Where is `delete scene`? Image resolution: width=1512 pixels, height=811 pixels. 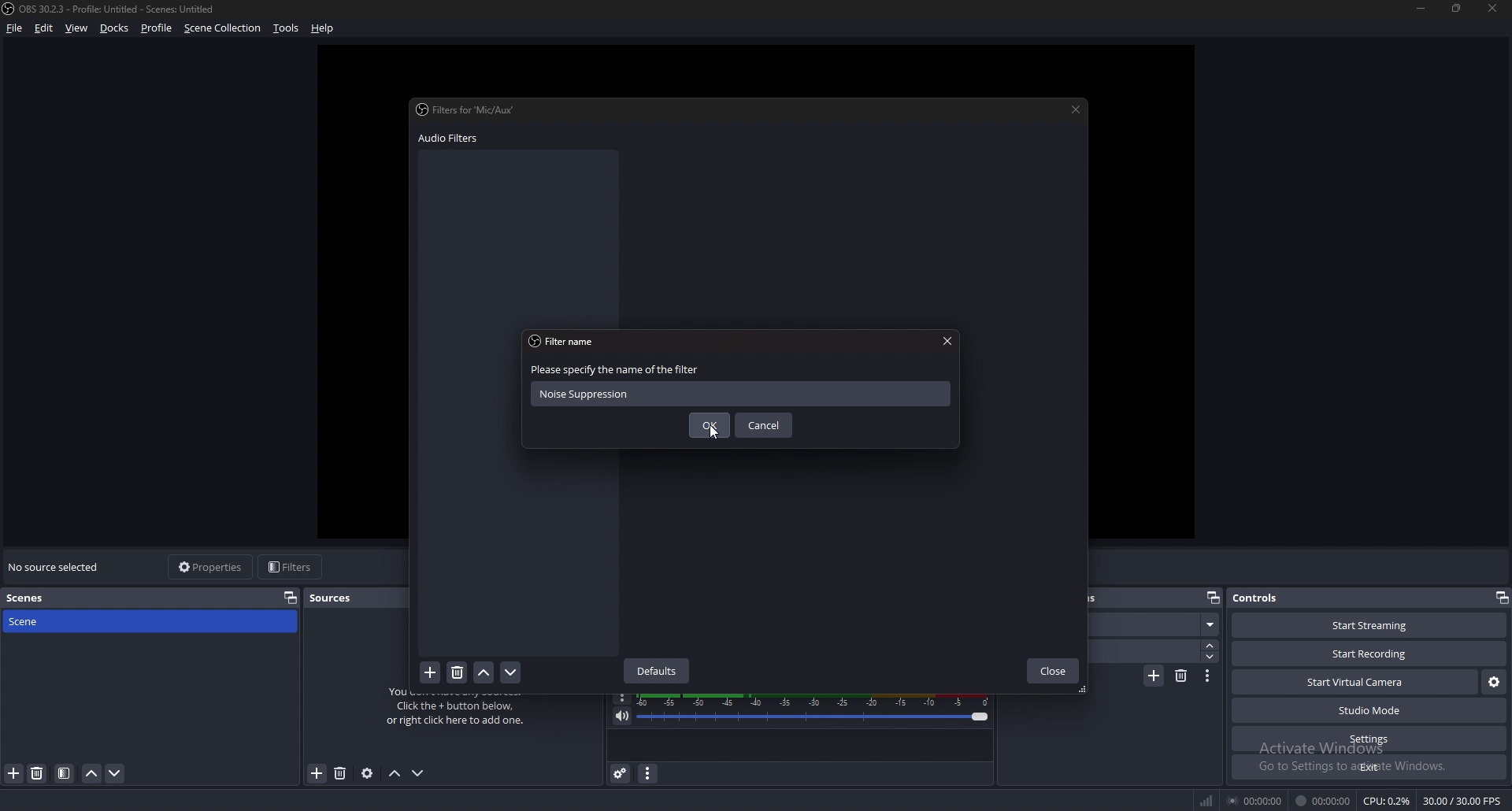
delete scene is located at coordinates (39, 773).